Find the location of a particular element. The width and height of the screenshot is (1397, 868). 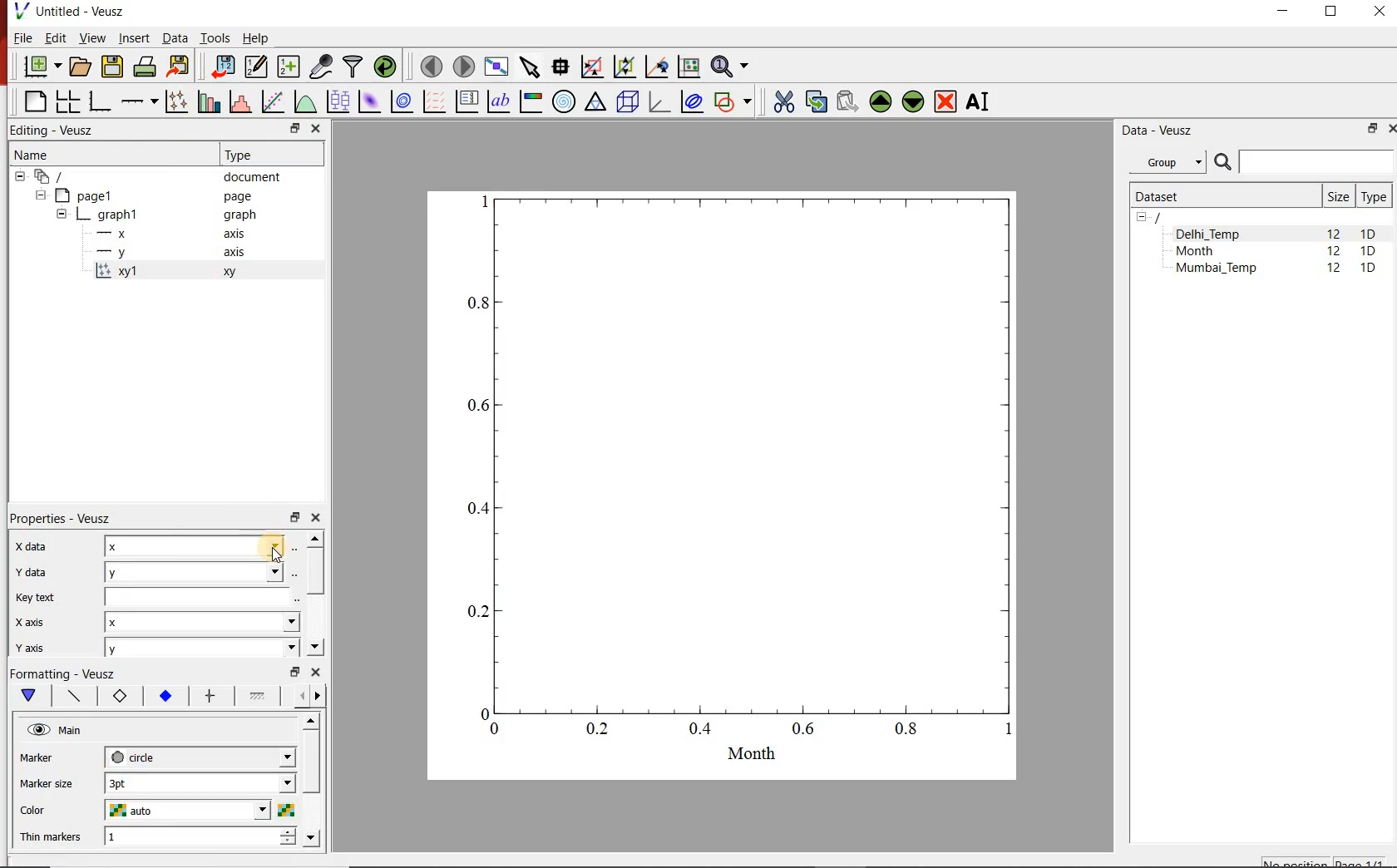

x is located at coordinates (203, 621).